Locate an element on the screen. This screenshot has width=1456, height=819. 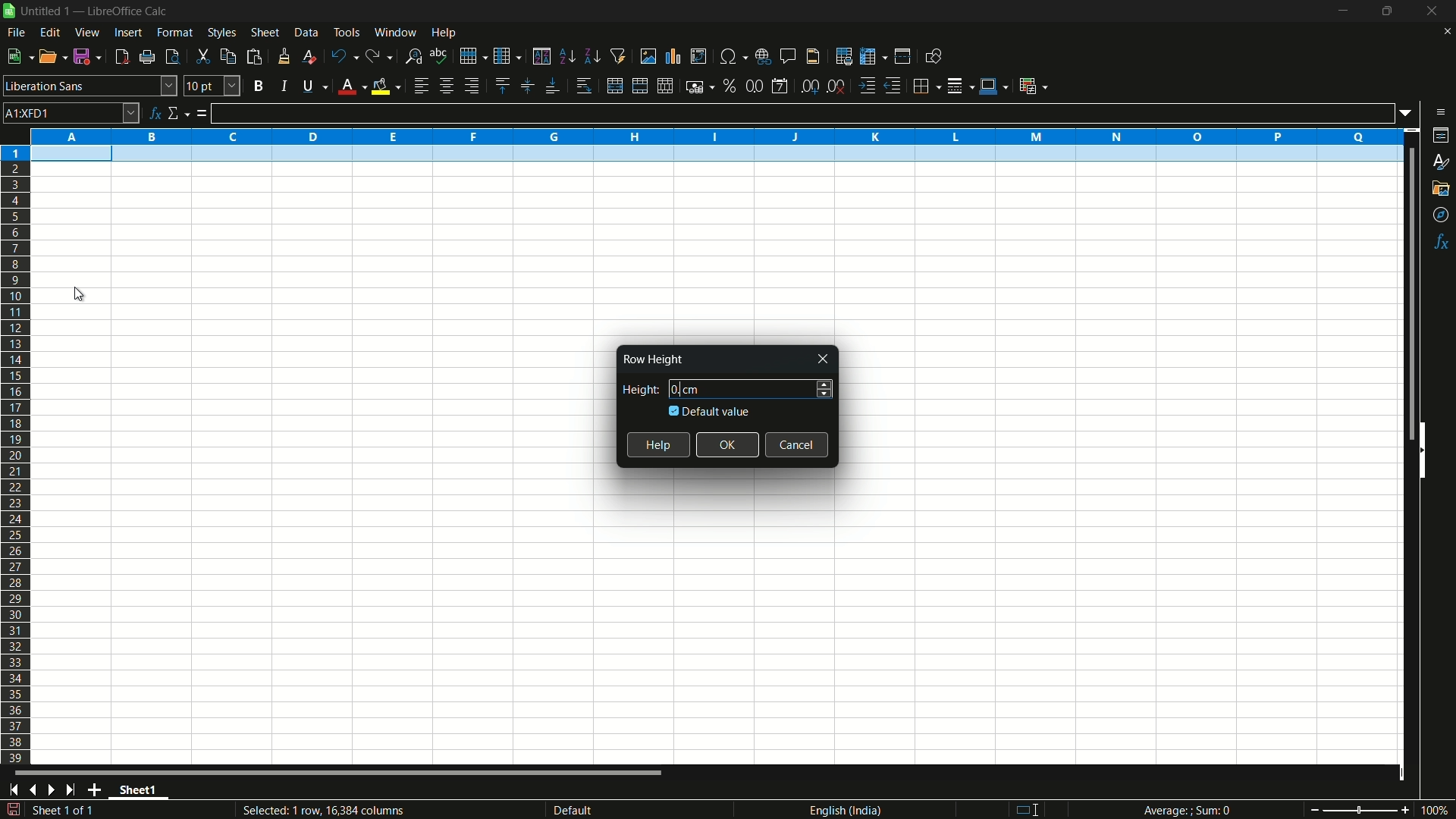
language english(india) is located at coordinates (841, 810).